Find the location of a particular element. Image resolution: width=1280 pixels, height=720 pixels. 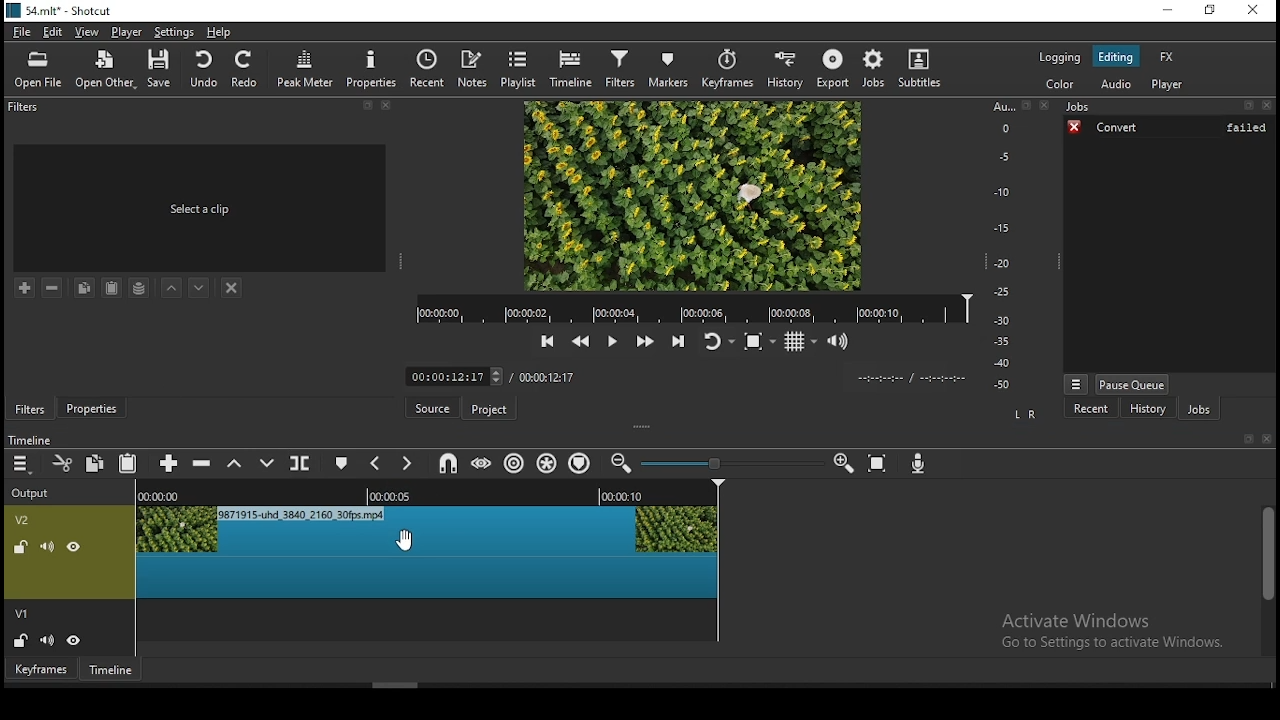

timeline is located at coordinates (32, 441).